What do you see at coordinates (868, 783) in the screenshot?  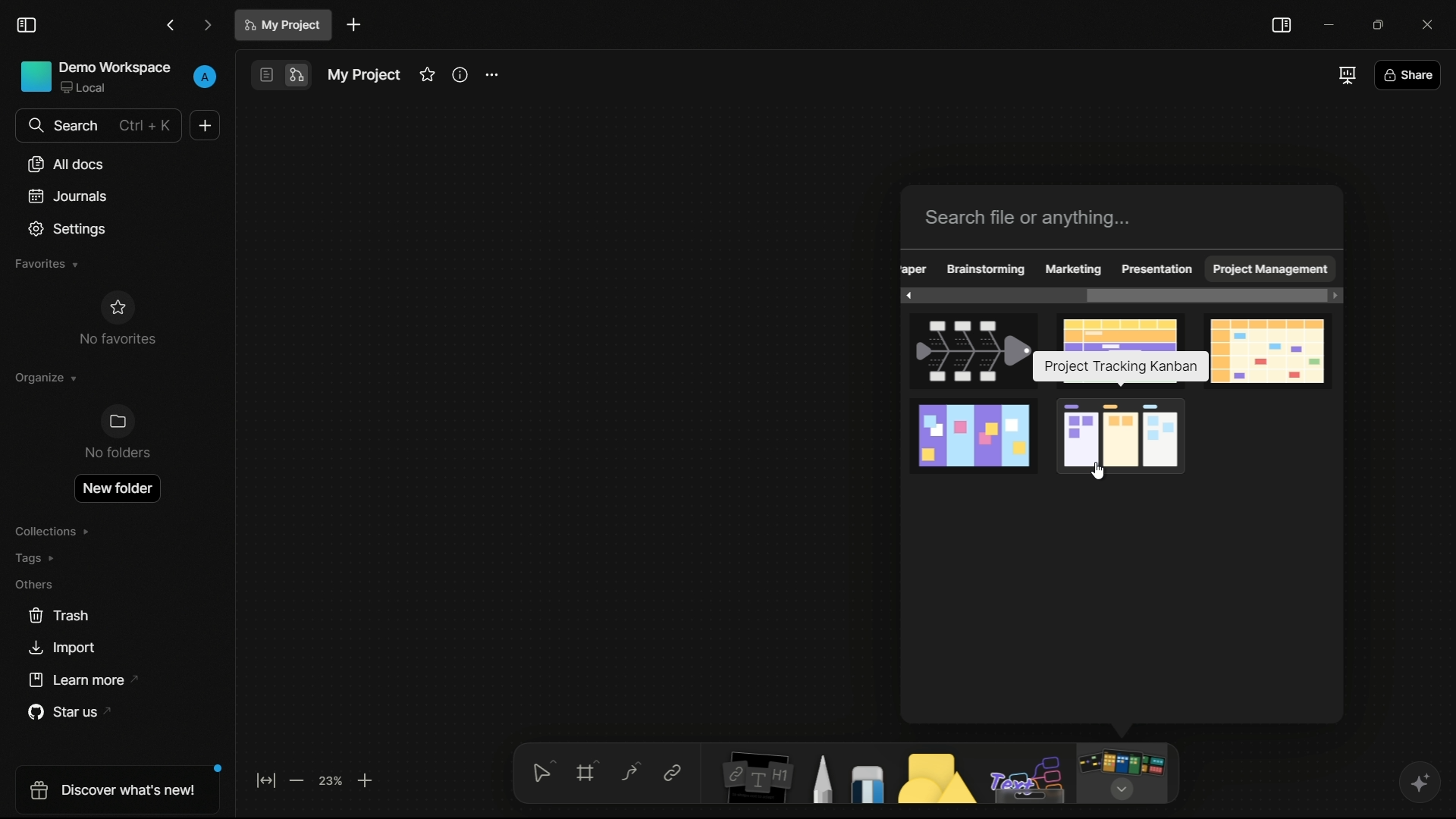 I see `eraser` at bounding box center [868, 783].